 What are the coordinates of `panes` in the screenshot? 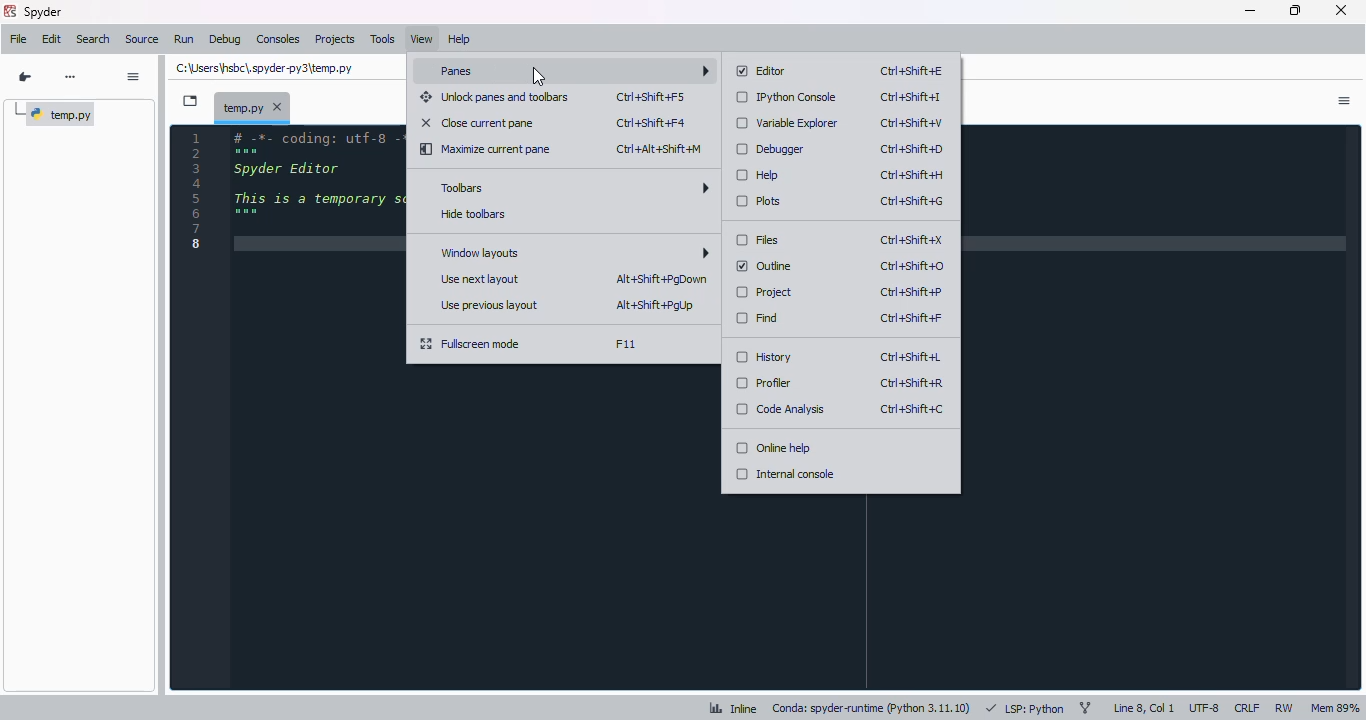 It's located at (570, 71).